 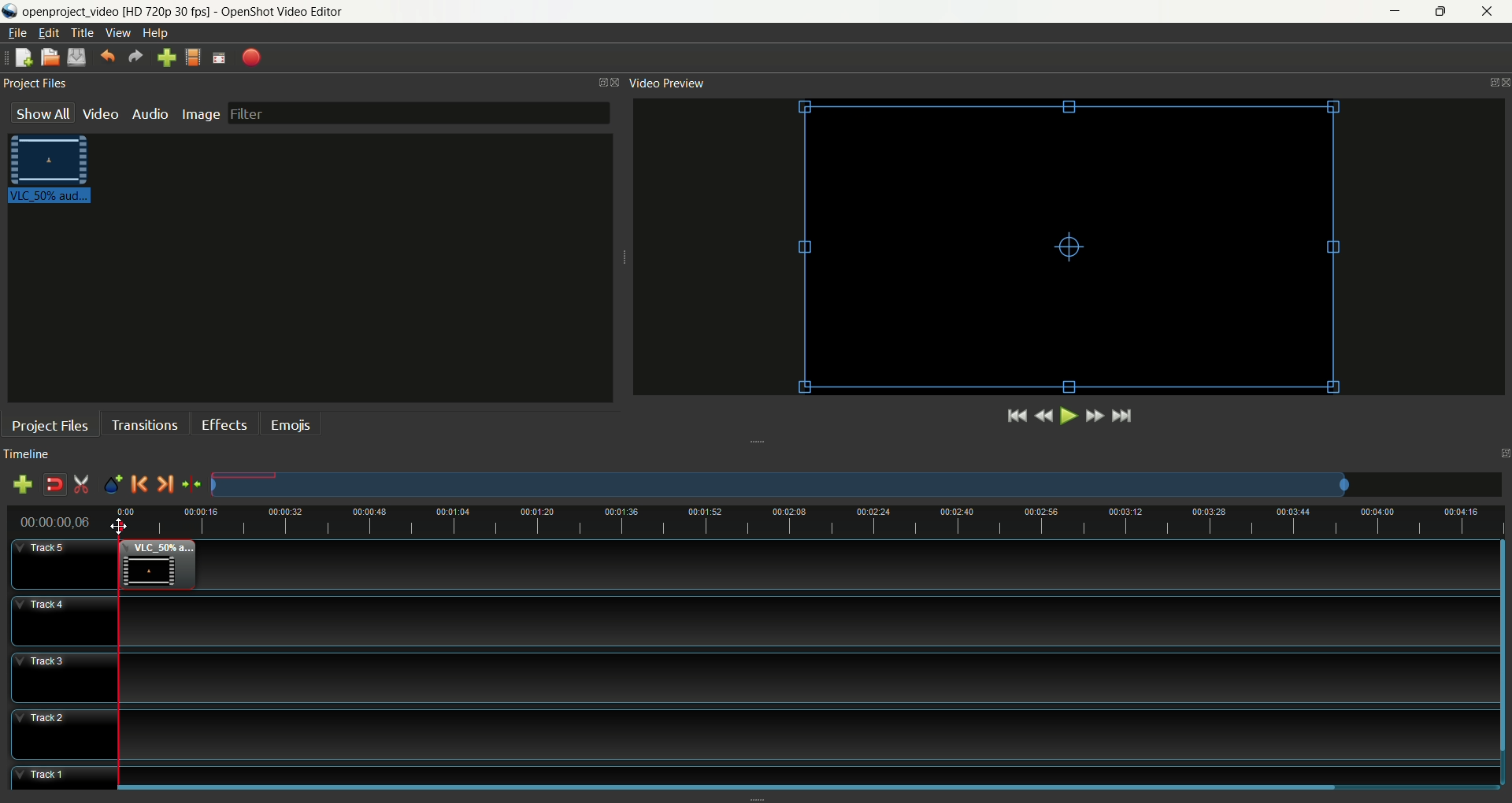 What do you see at coordinates (82, 33) in the screenshot?
I see `title` at bounding box center [82, 33].